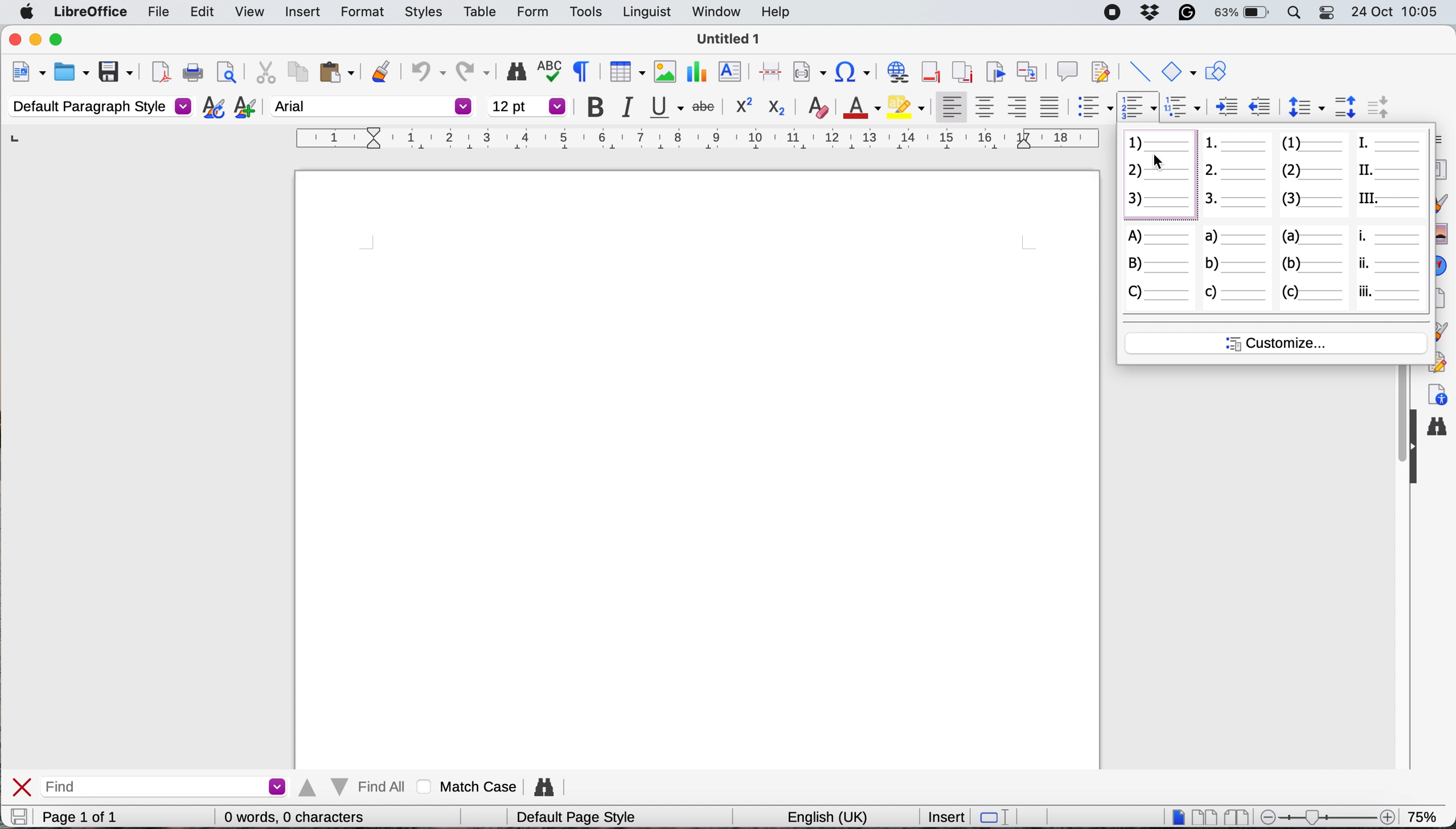 This screenshot has height=829, width=1456. Describe the element at coordinates (204, 12) in the screenshot. I see `edit` at that location.